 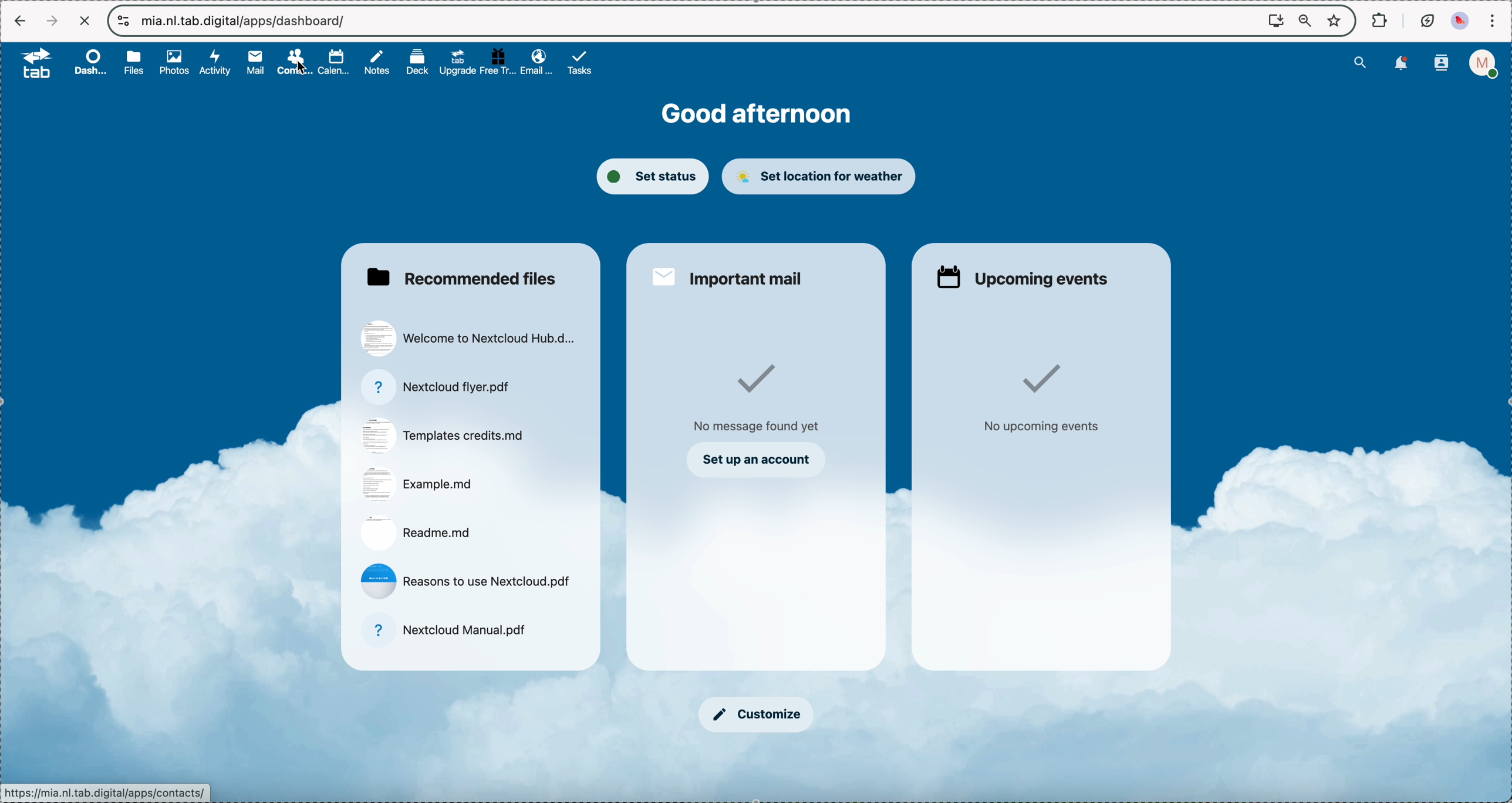 What do you see at coordinates (451, 628) in the screenshot?
I see `file` at bounding box center [451, 628].